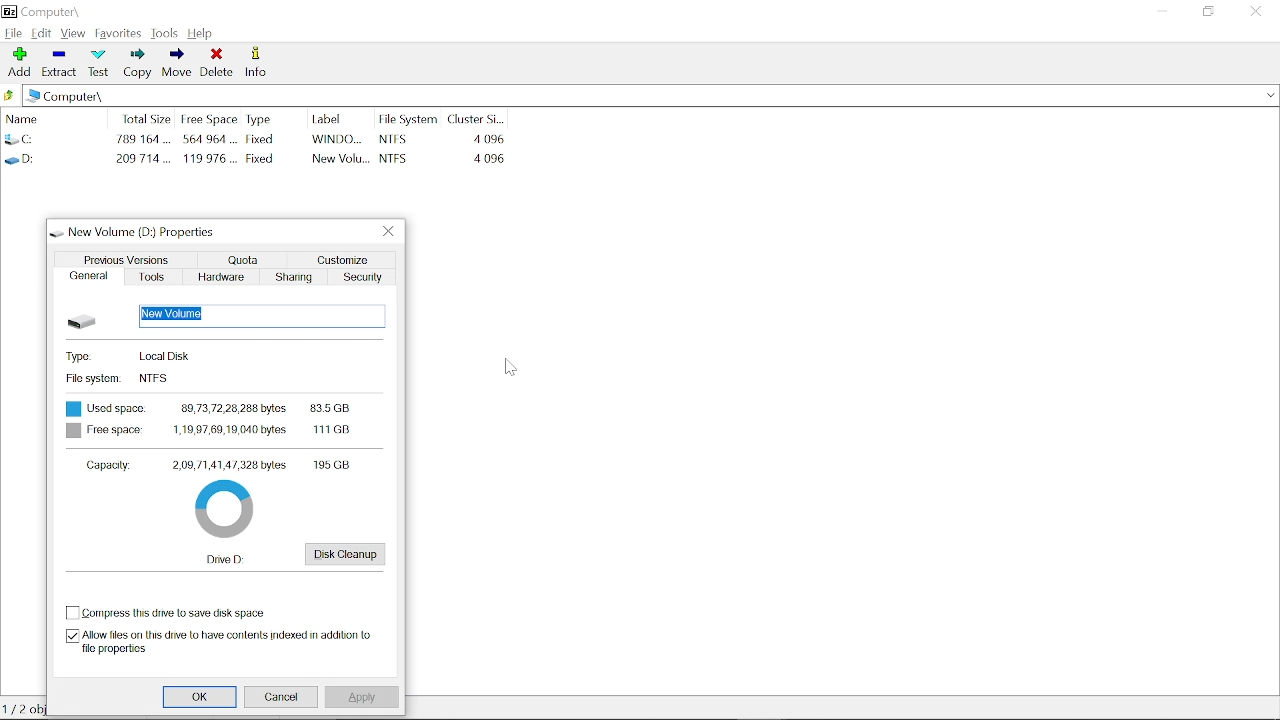  What do you see at coordinates (278, 697) in the screenshot?
I see `cancel` at bounding box center [278, 697].